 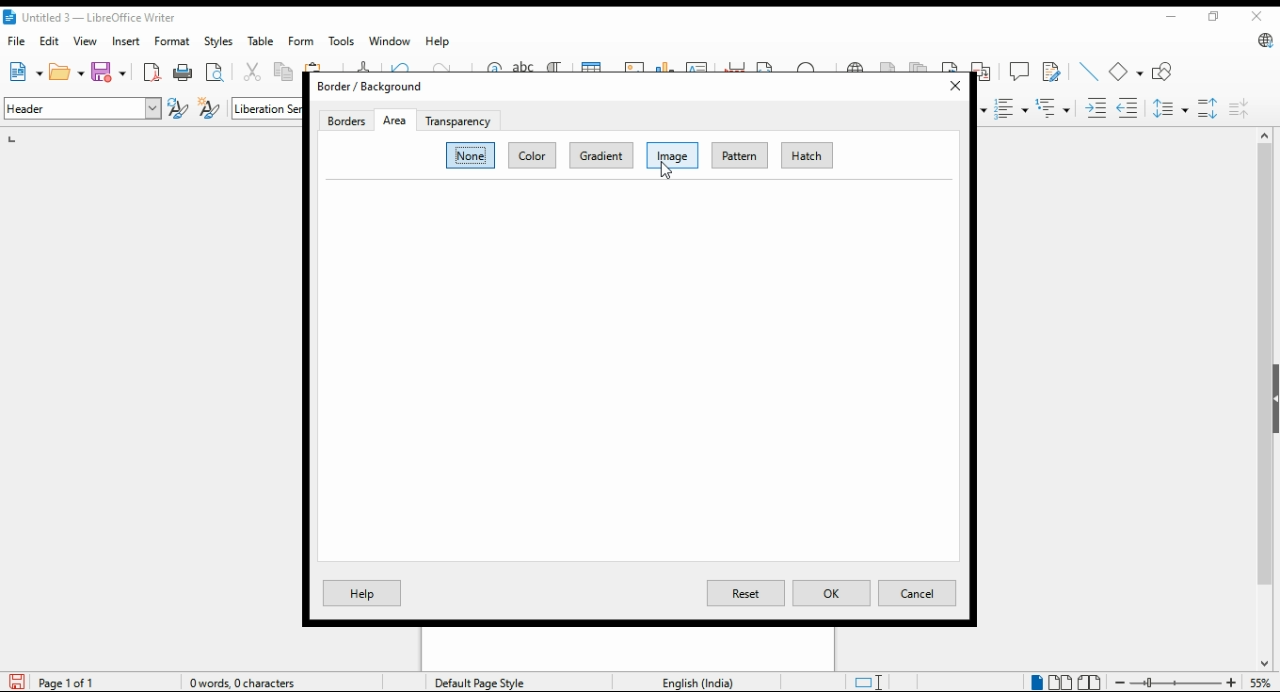 What do you see at coordinates (921, 66) in the screenshot?
I see `insert endnote` at bounding box center [921, 66].